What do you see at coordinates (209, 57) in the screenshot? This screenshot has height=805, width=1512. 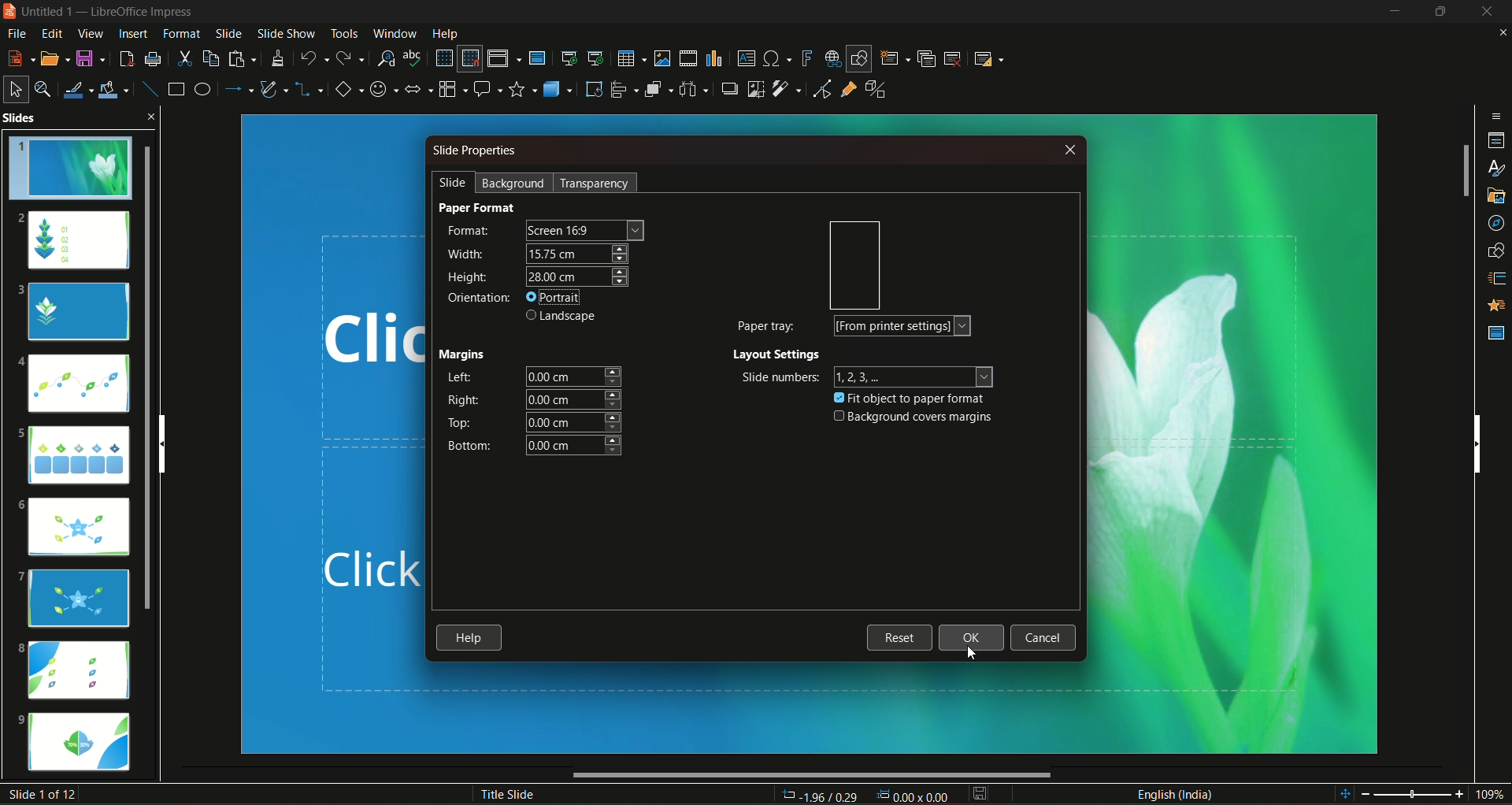 I see `copy ` at bounding box center [209, 57].